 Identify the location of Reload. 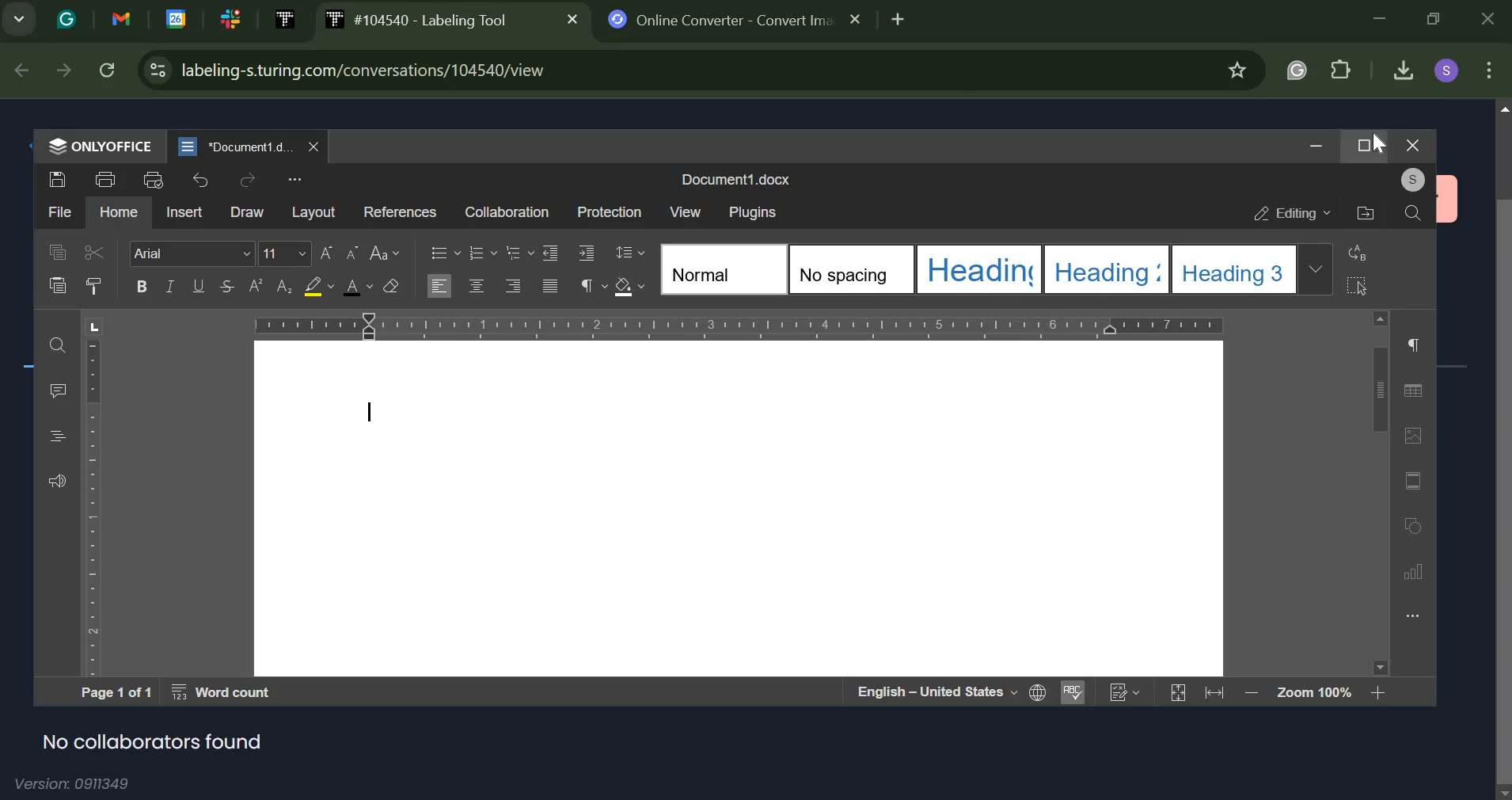
(108, 70).